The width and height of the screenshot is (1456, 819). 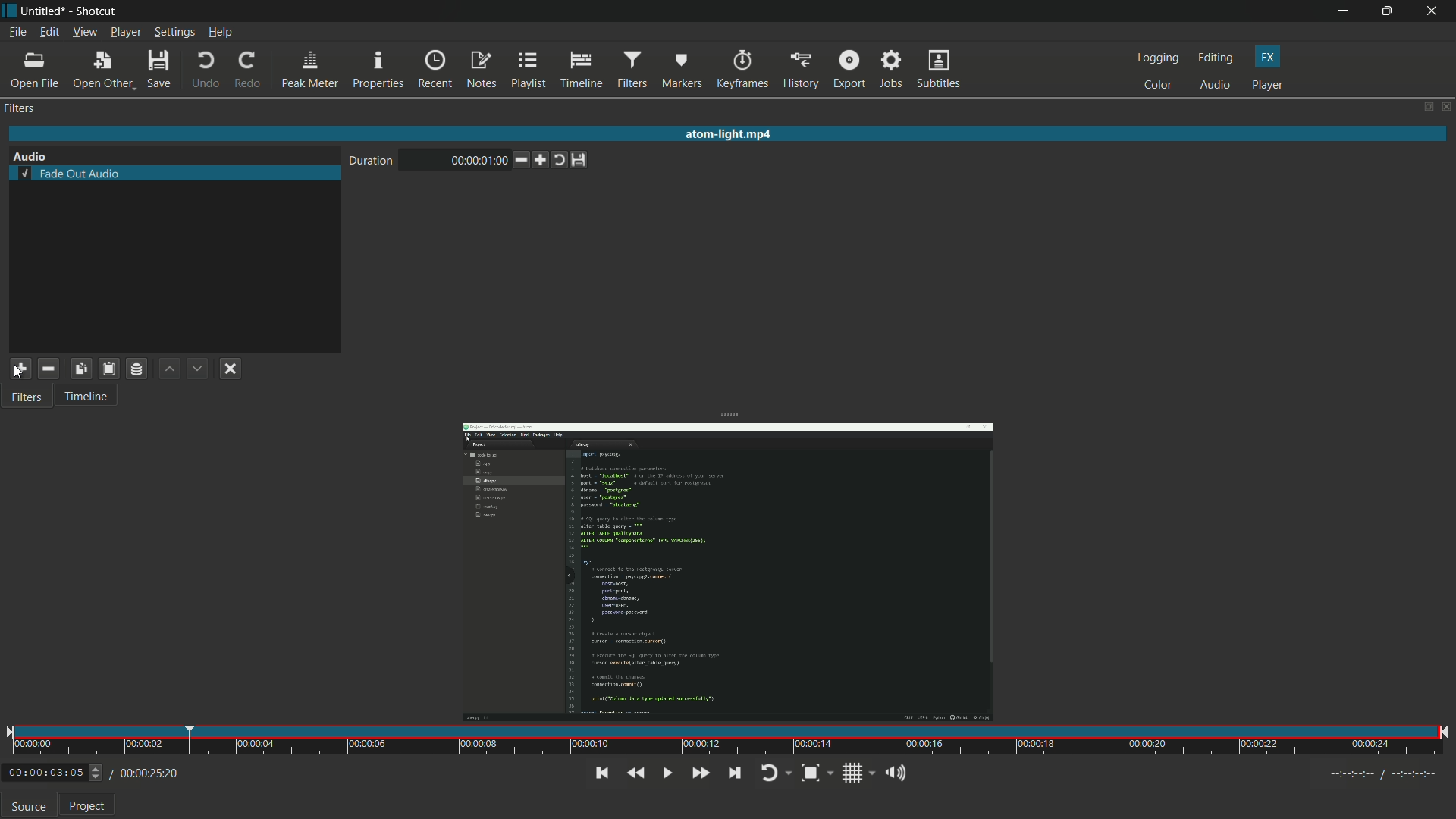 What do you see at coordinates (600, 773) in the screenshot?
I see `skip to the previous point` at bounding box center [600, 773].